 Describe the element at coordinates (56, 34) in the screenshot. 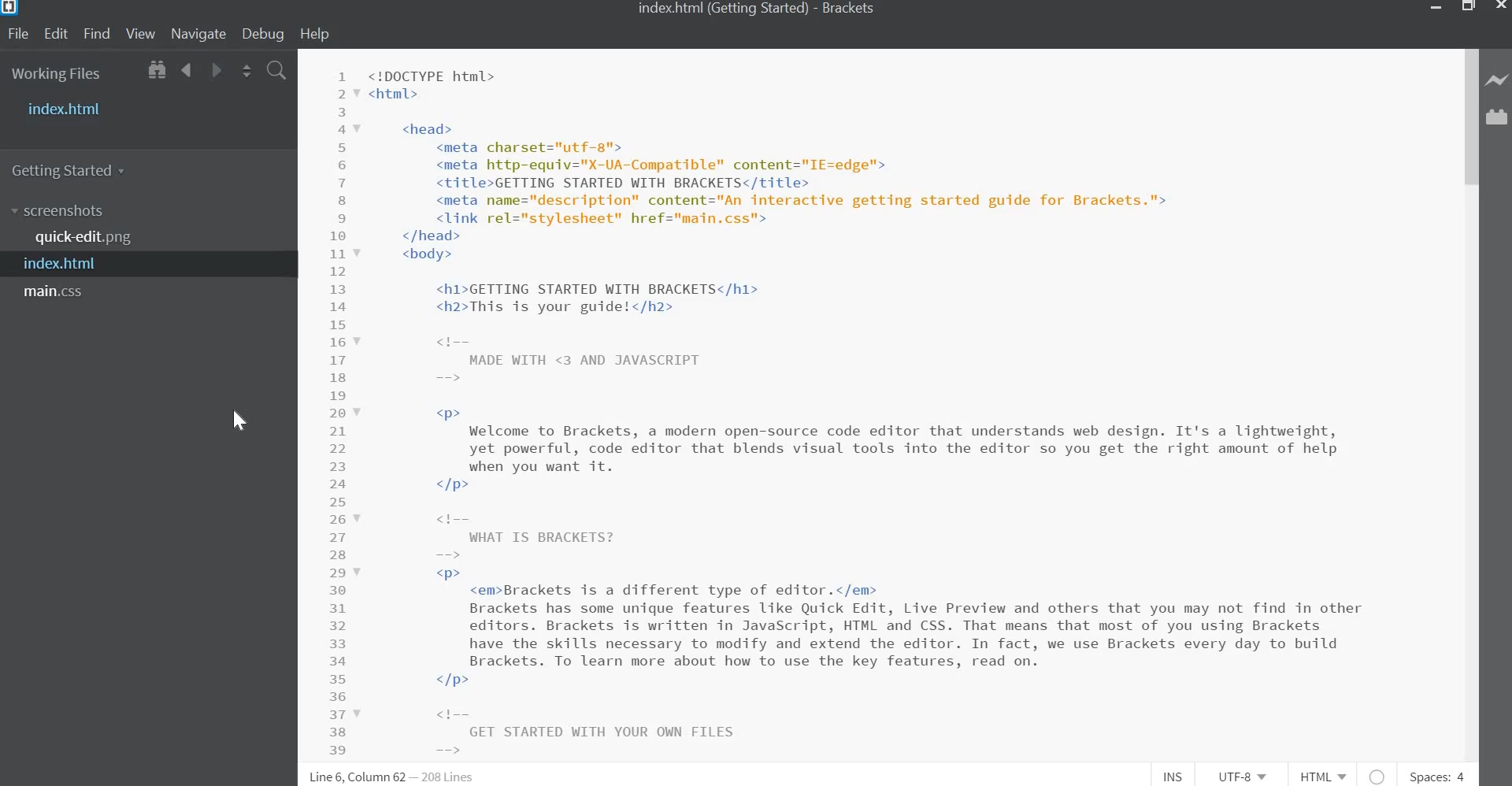

I see `Edit` at that location.